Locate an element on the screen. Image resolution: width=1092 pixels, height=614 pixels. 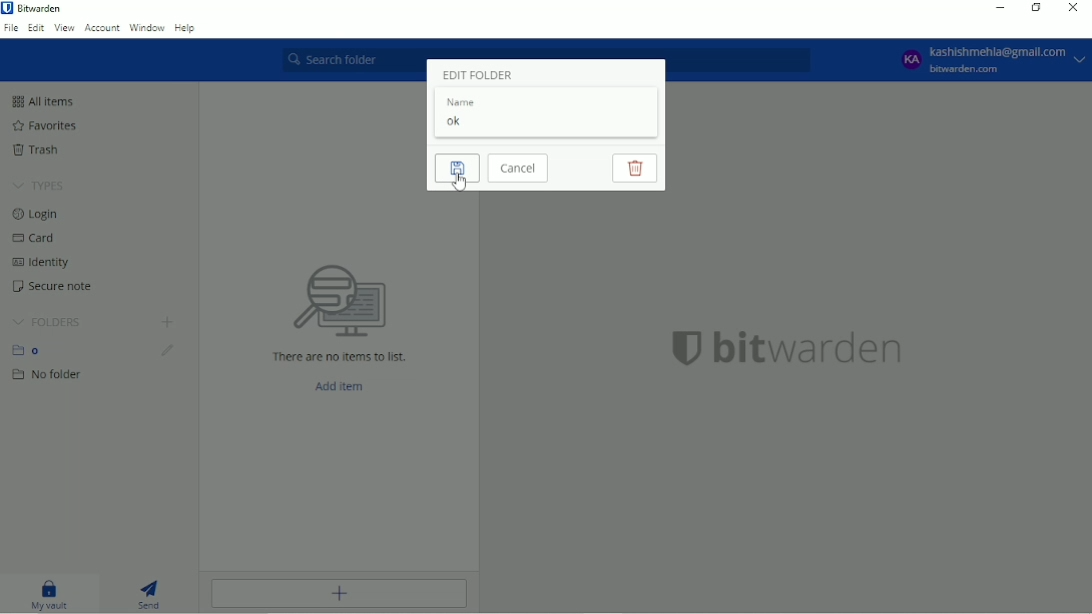
EDIT FOLDER is located at coordinates (476, 74).